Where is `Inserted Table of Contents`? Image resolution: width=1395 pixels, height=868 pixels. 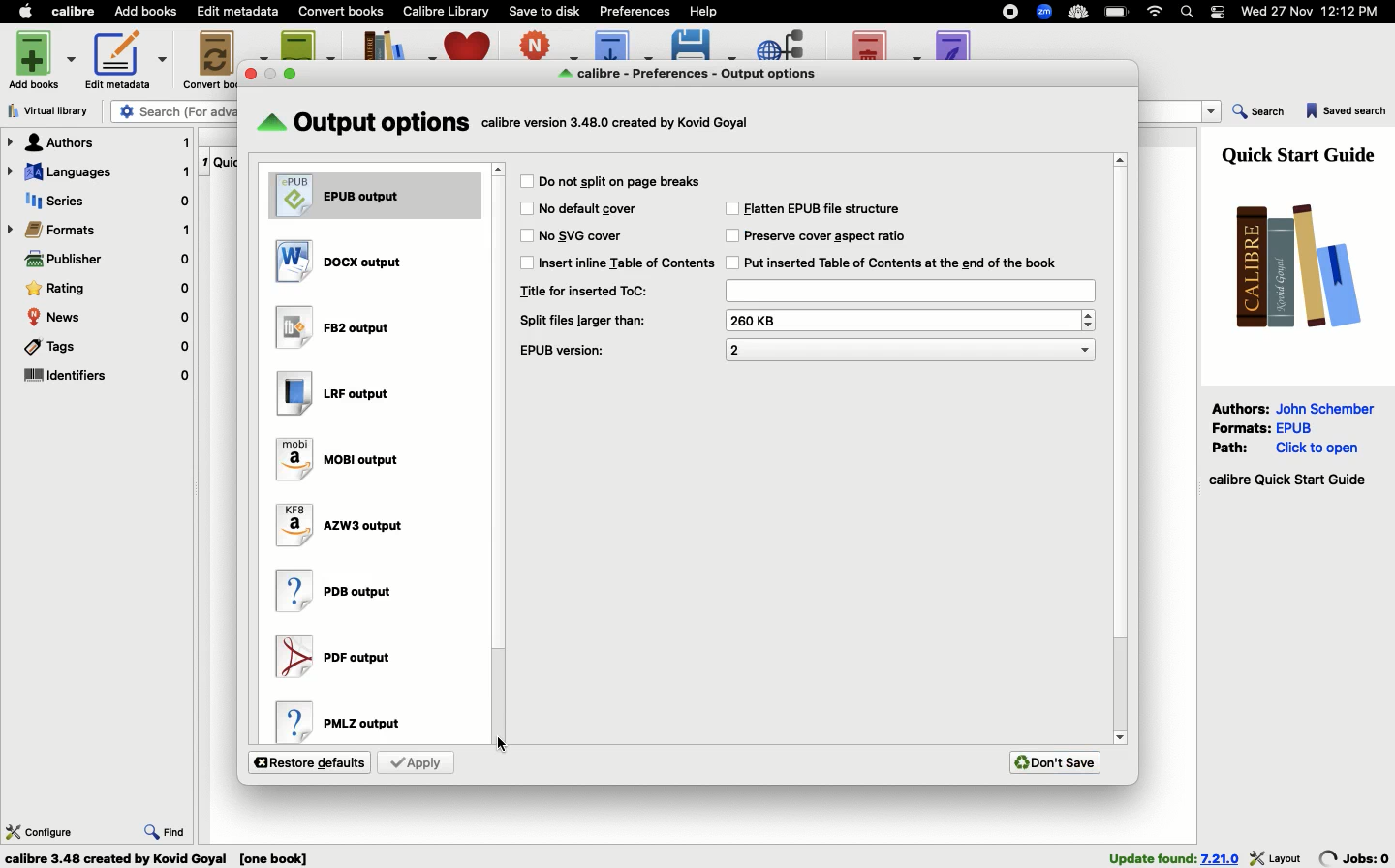
Inserted Table of Contents is located at coordinates (903, 263).